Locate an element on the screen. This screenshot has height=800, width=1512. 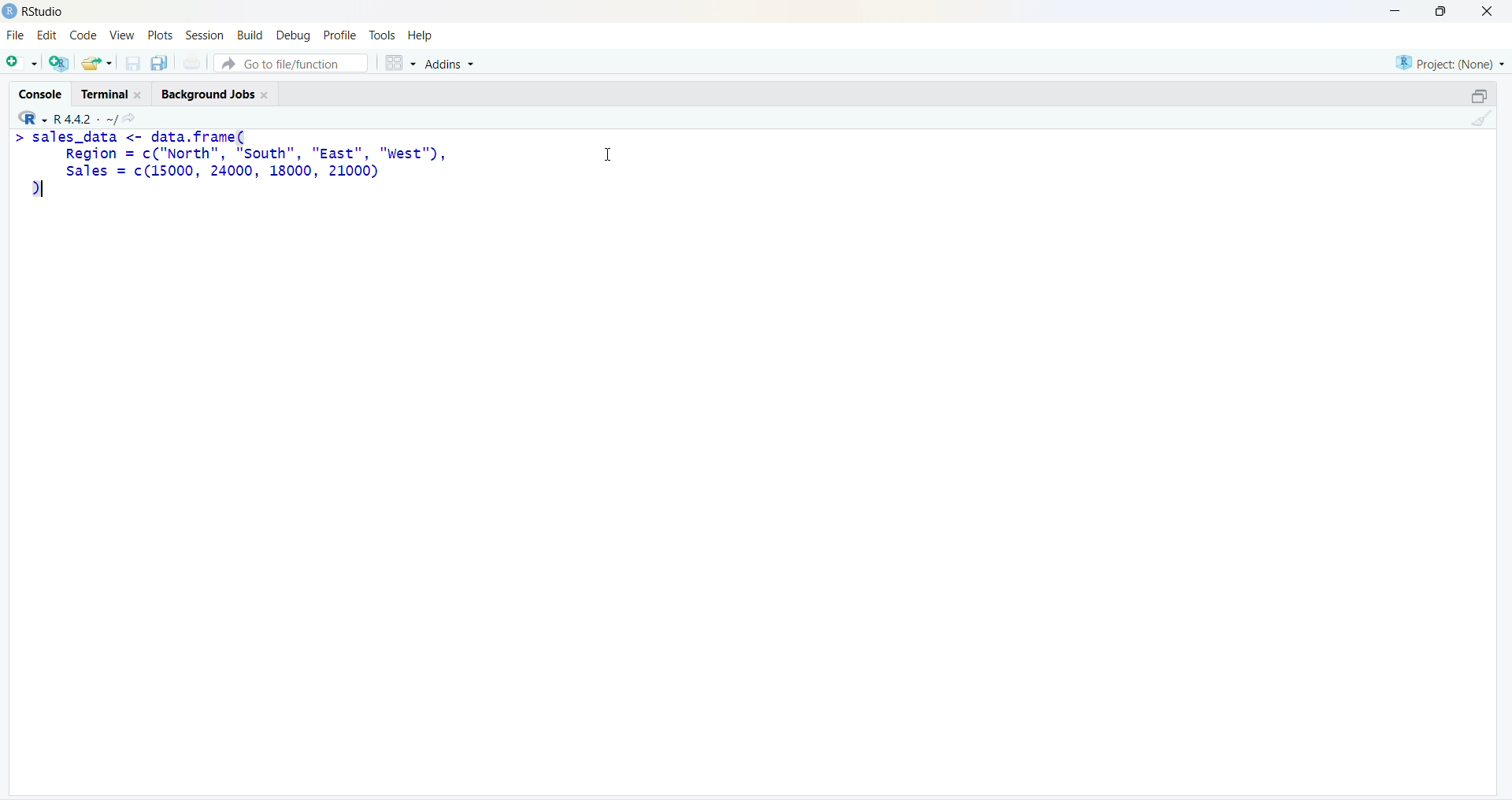
Edit is located at coordinates (46, 37).